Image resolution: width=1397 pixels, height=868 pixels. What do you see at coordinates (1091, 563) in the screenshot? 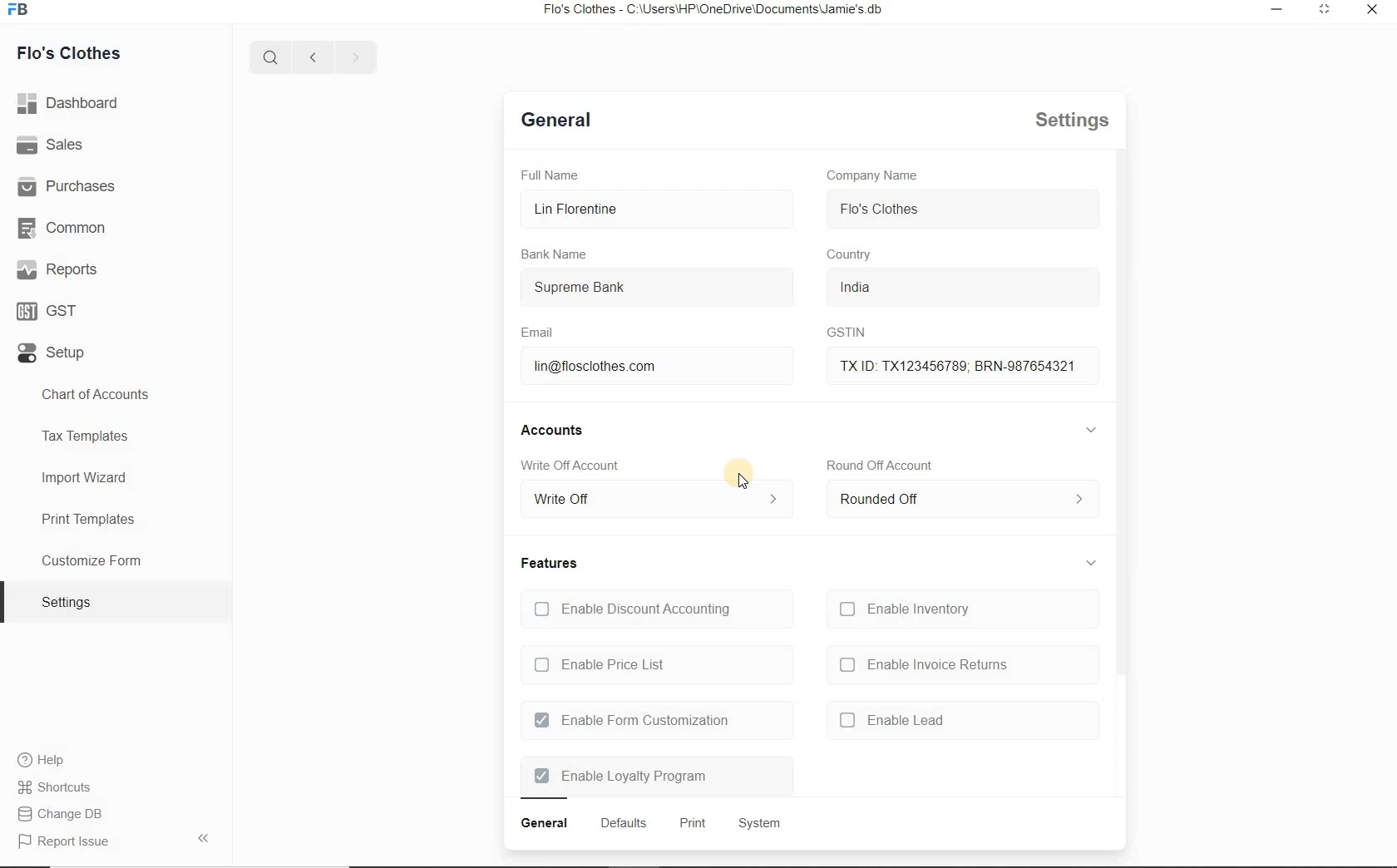
I see `Expand` at bounding box center [1091, 563].